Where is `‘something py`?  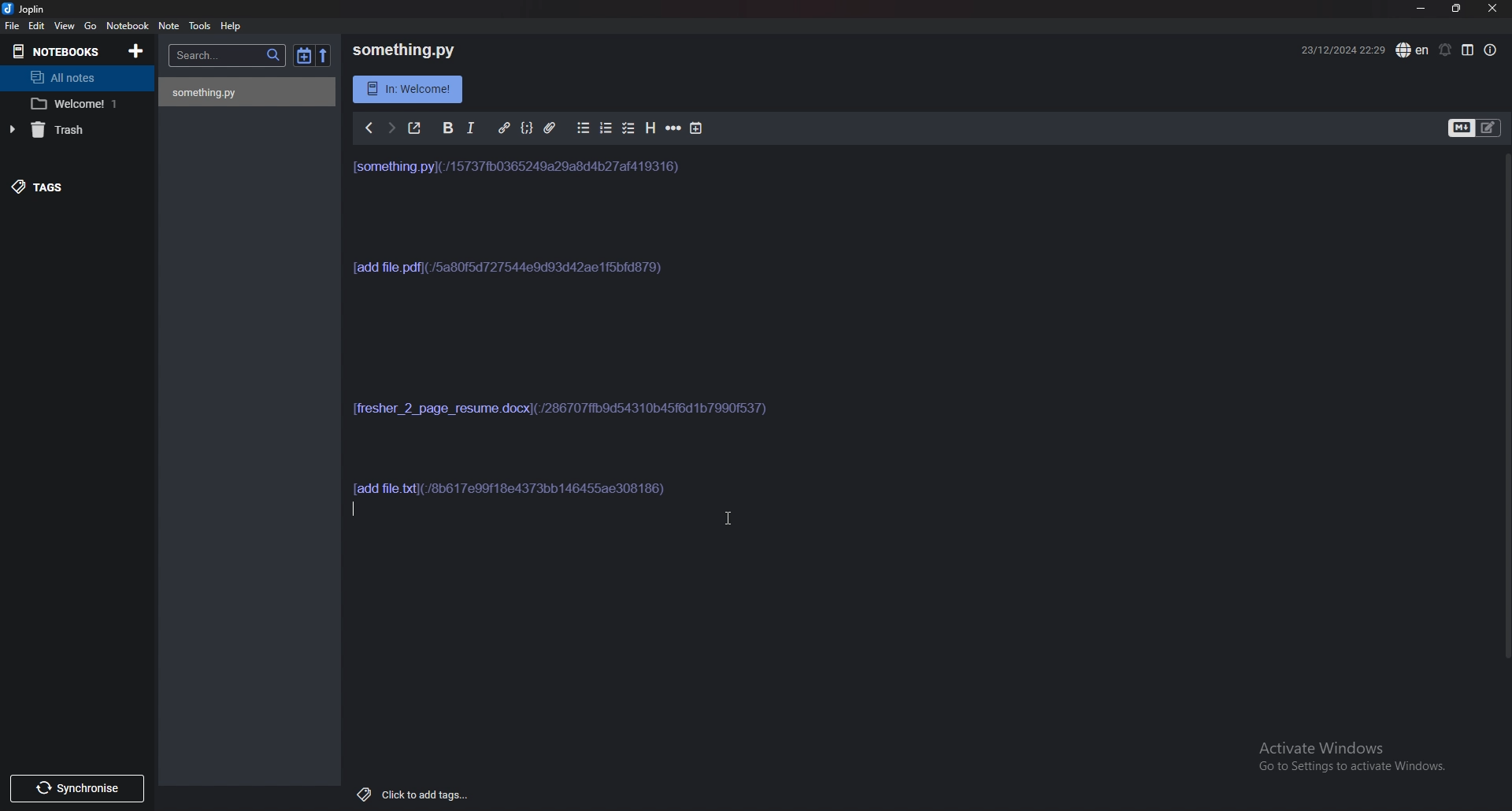
‘something py is located at coordinates (209, 92).